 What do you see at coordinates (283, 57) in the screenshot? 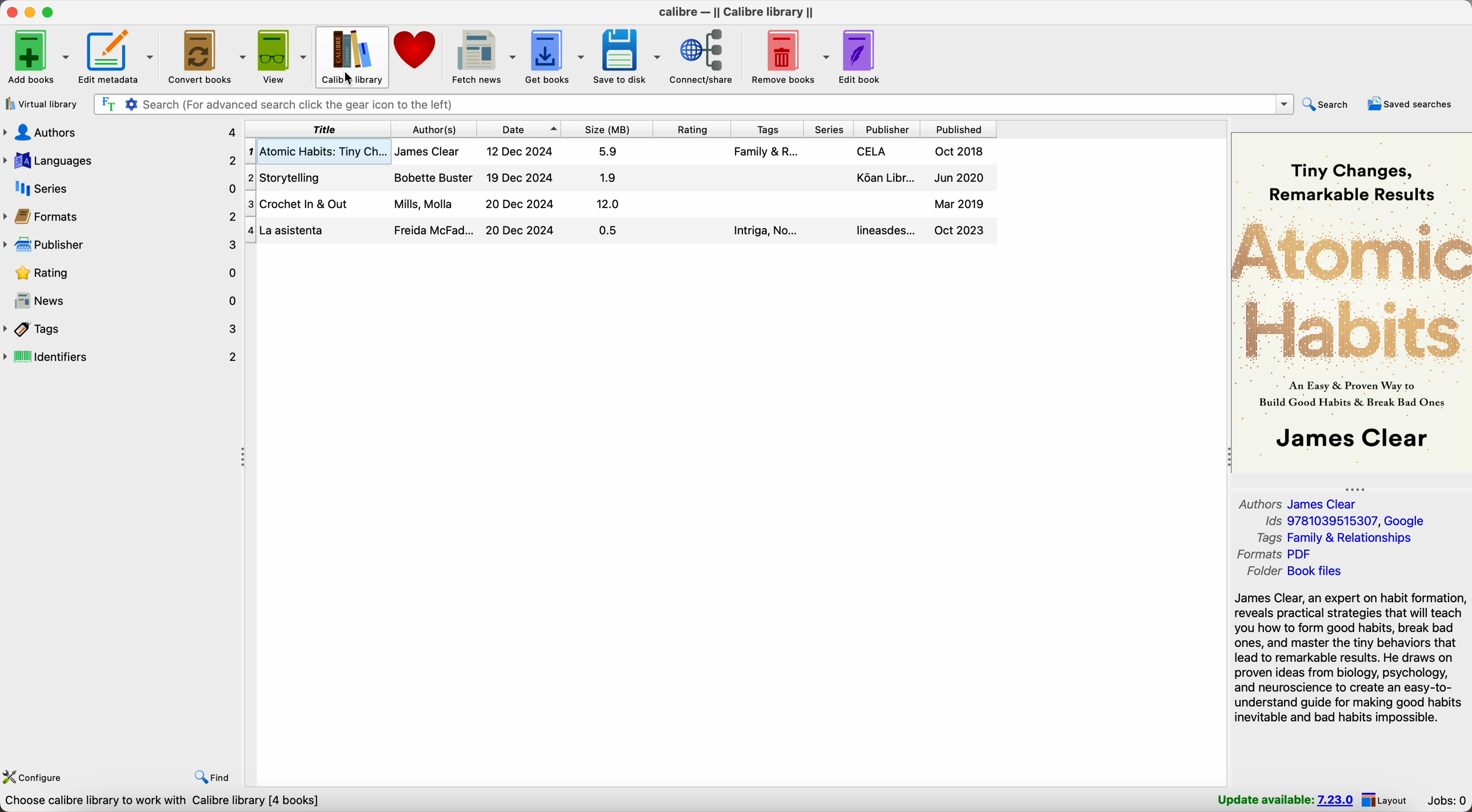
I see `view` at bounding box center [283, 57].